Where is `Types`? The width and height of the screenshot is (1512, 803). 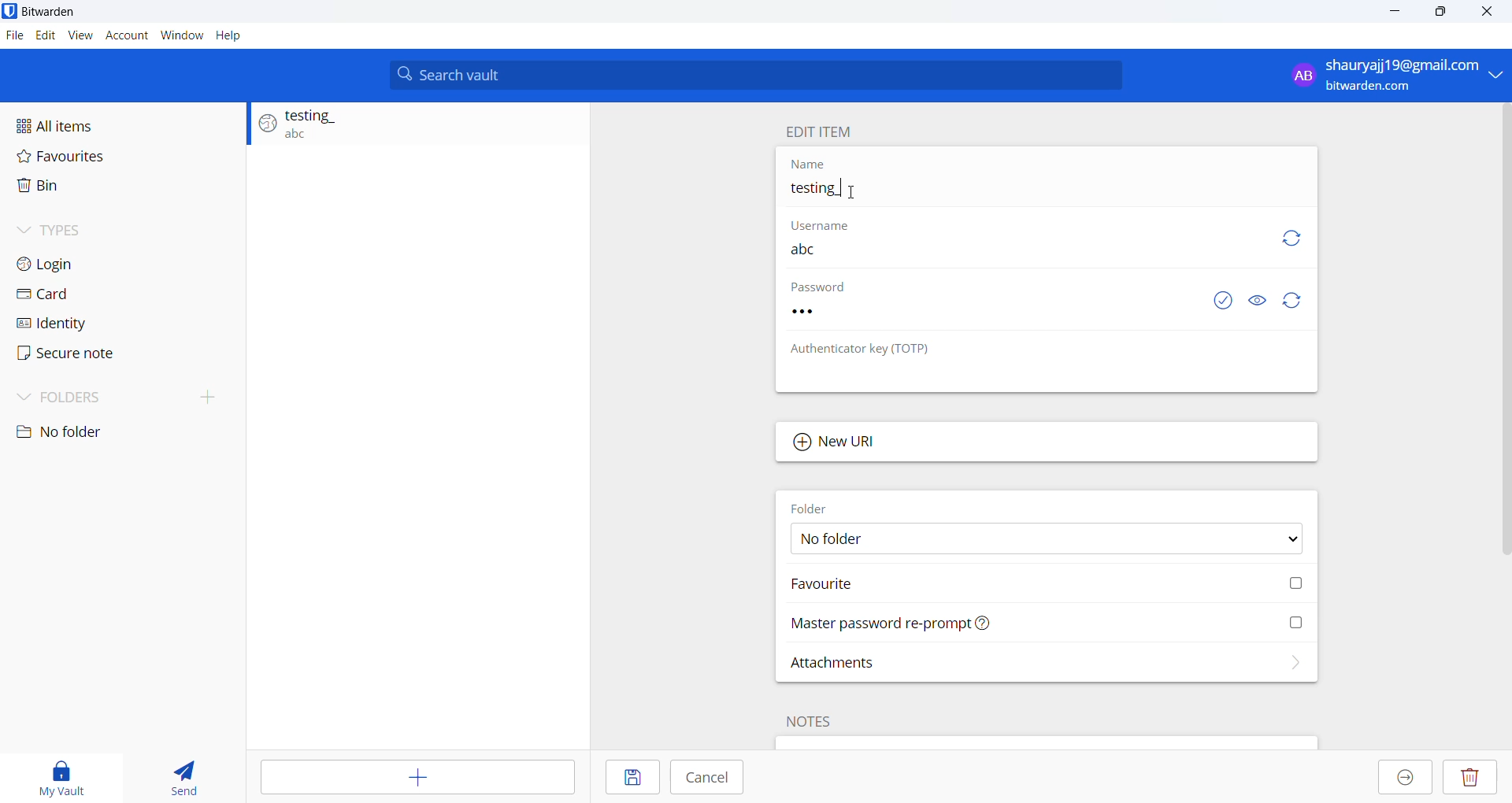
Types is located at coordinates (116, 227).